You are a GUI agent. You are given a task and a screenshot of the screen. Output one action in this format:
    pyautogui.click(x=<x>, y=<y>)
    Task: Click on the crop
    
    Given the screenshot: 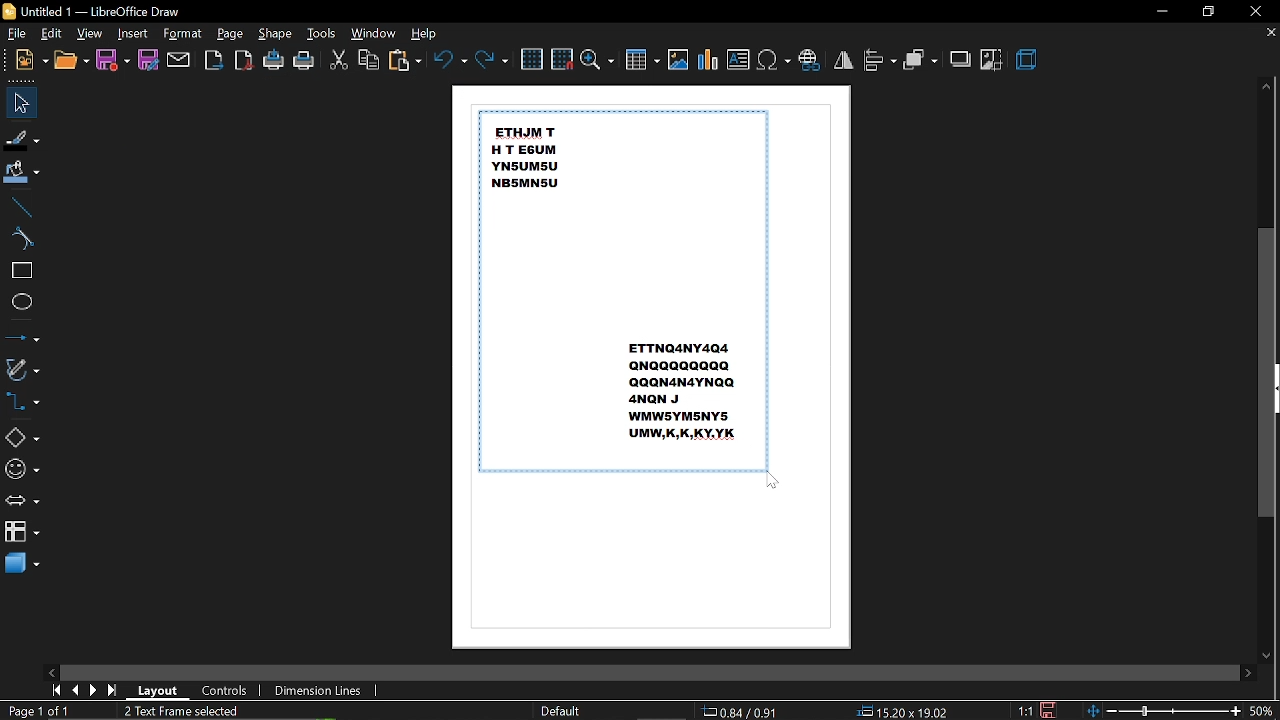 What is the action you would take?
    pyautogui.click(x=992, y=60)
    